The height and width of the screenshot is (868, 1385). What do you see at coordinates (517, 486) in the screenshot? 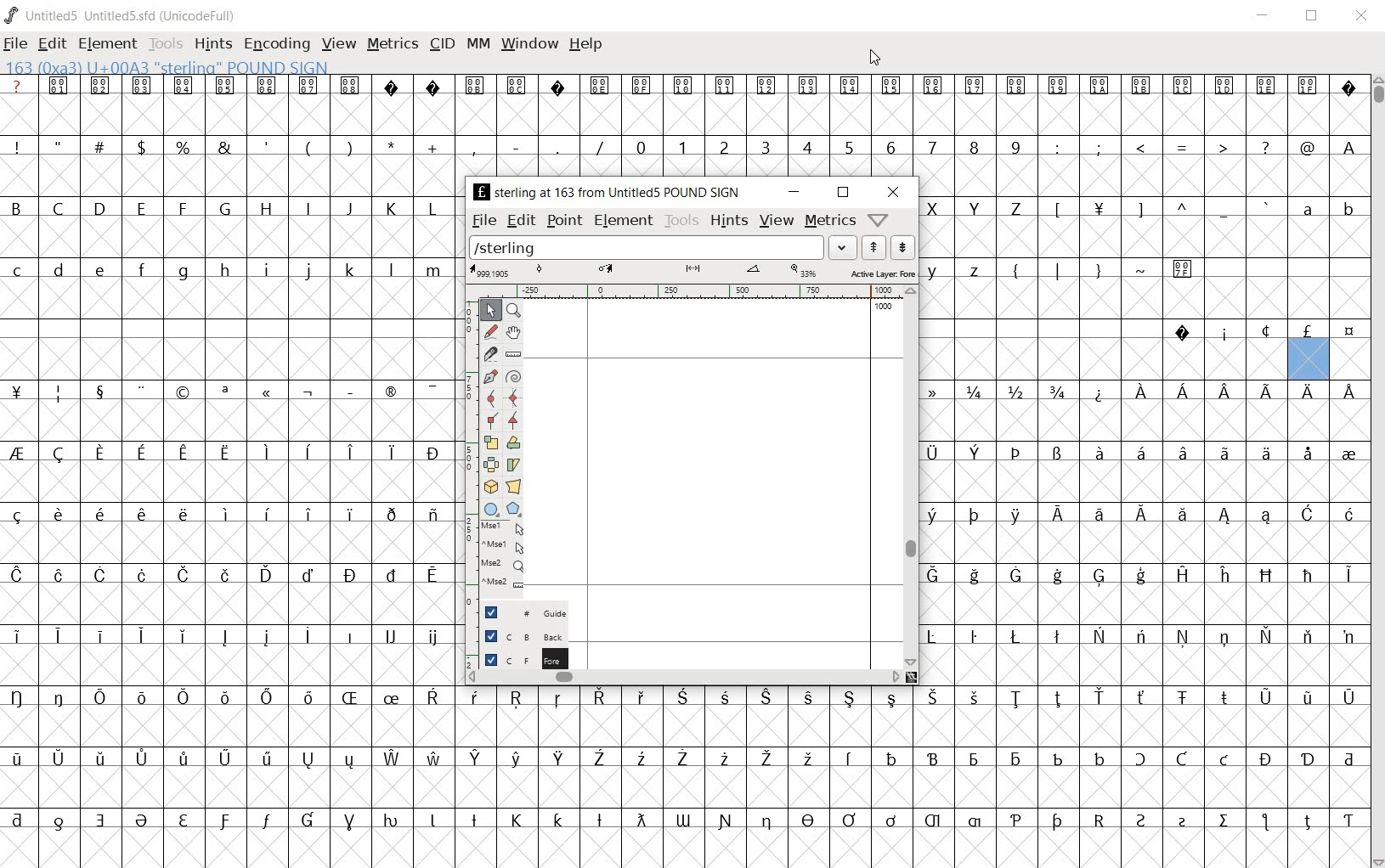
I see `Perspective` at bounding box center [517, 486].